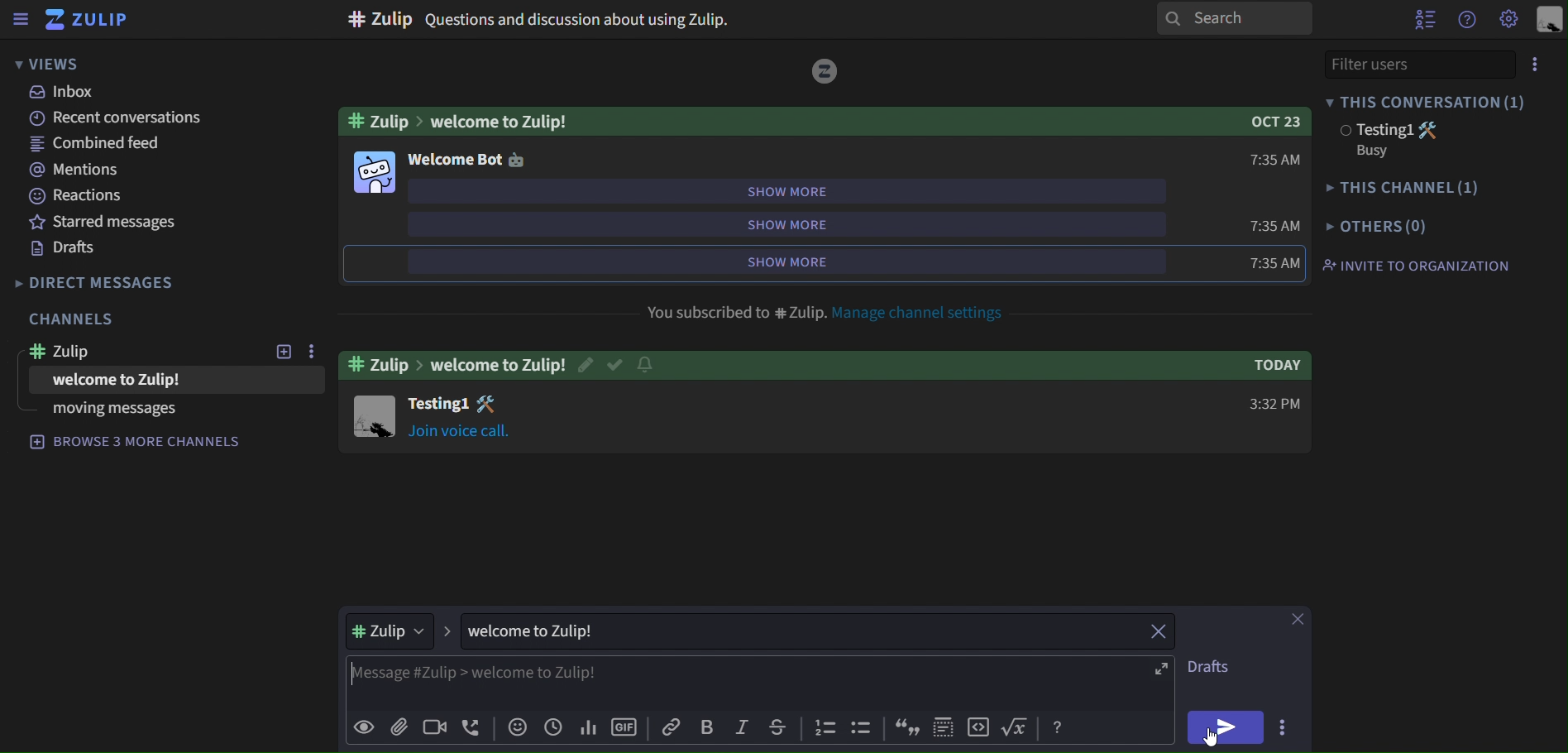  I want to click on close, so click(1298, 617).